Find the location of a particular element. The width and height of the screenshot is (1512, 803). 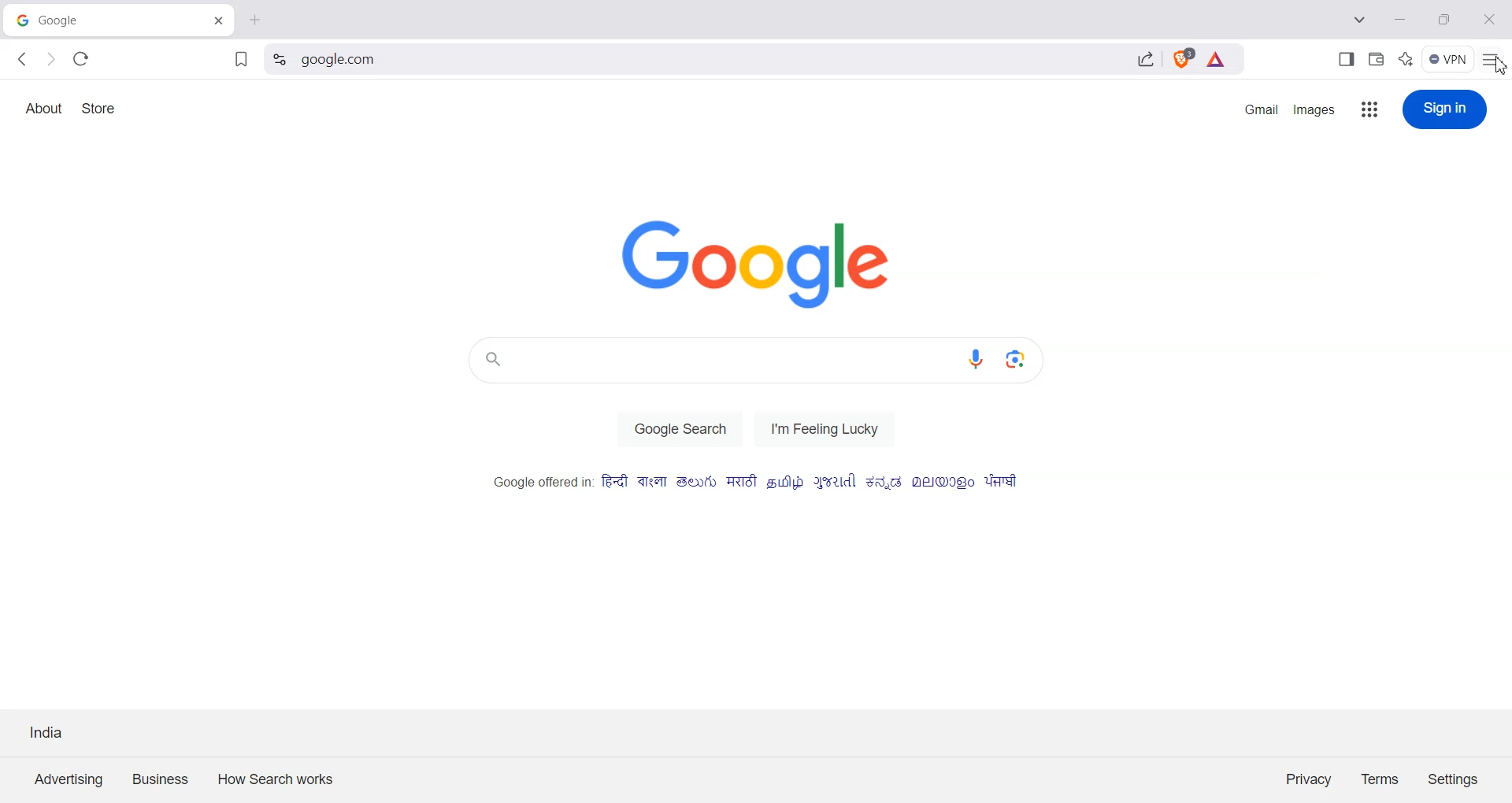

Business is located at coordinates (161, 777).